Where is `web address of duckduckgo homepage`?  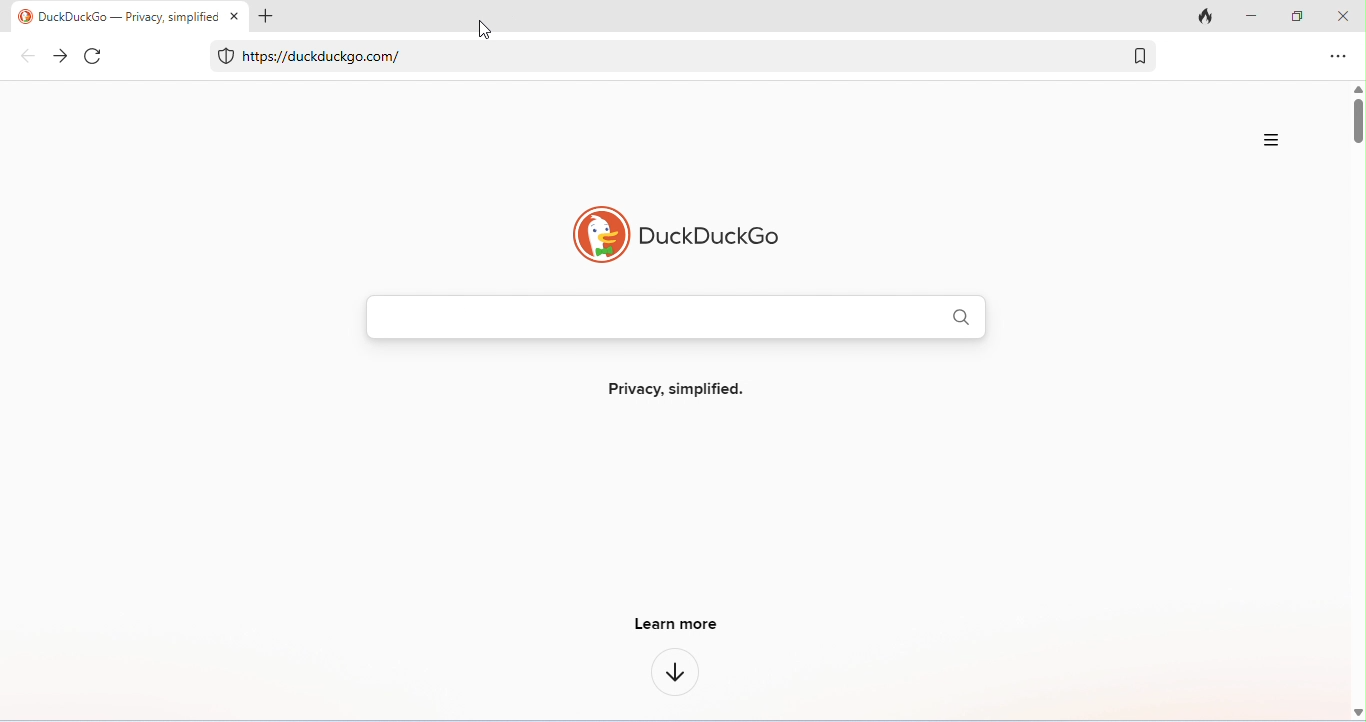 web address of duckduckgo homepage is located at coordinates (324, 56).